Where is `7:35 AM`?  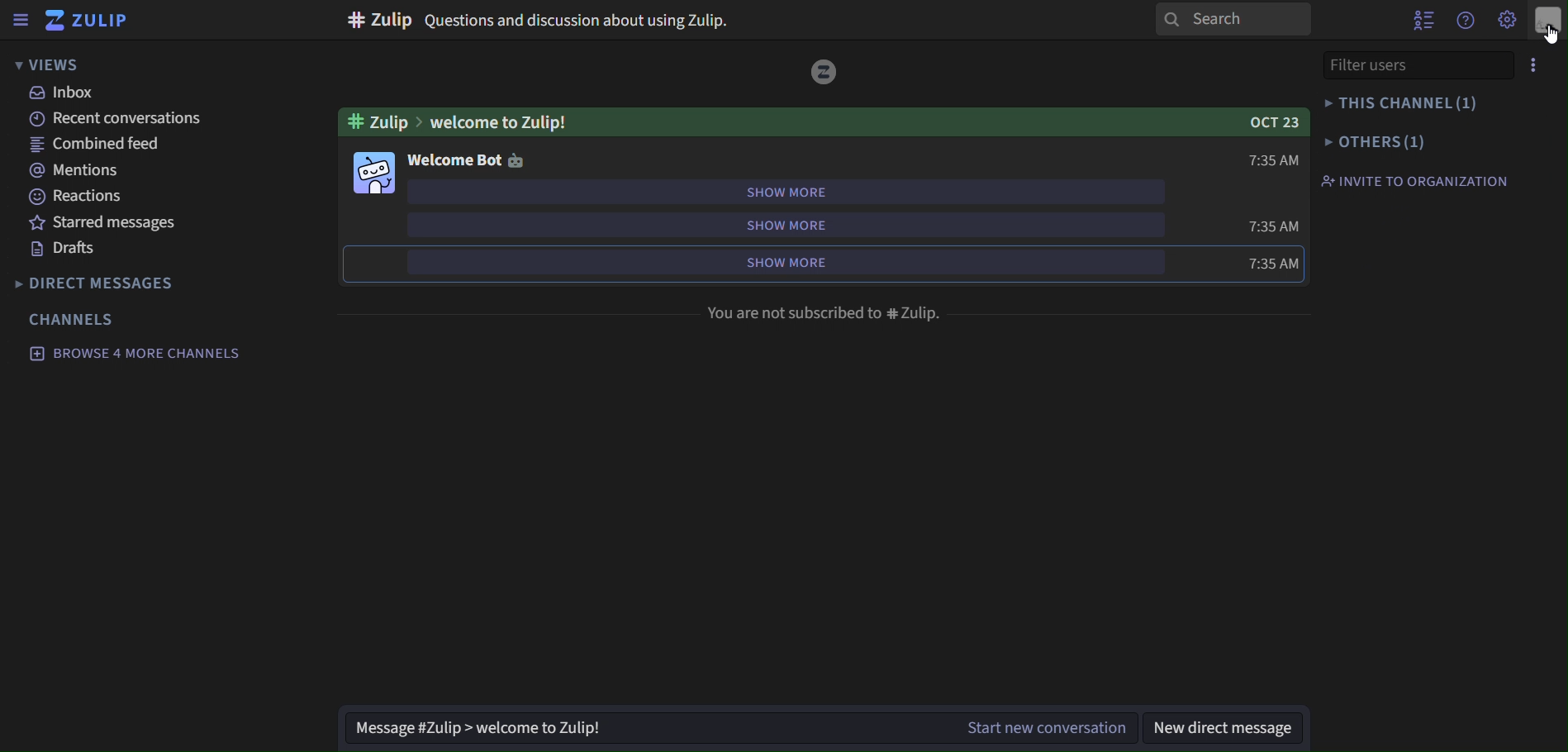
7:35 AM is located at coordinates (1273, 264).